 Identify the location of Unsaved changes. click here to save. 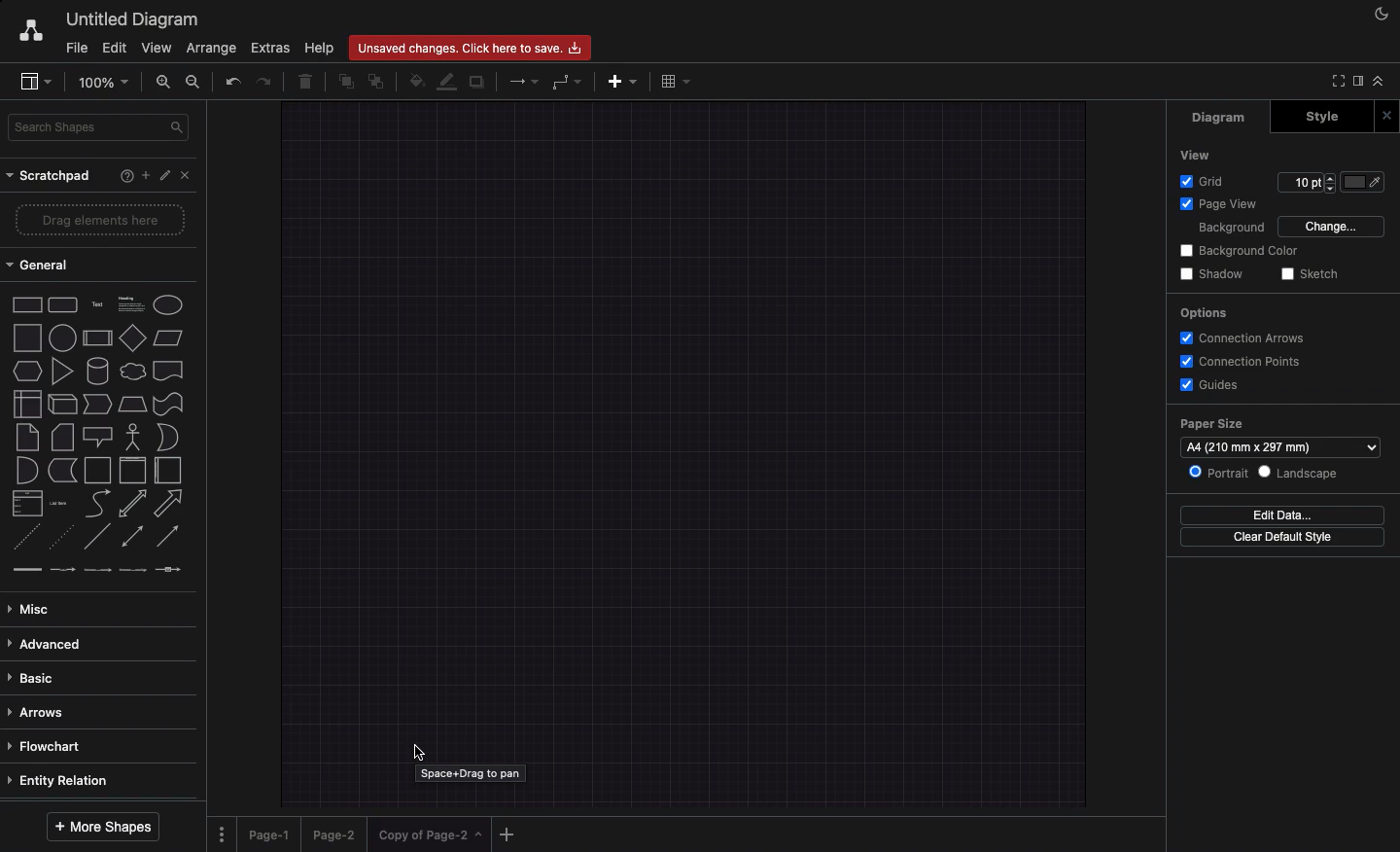
(466, 49).